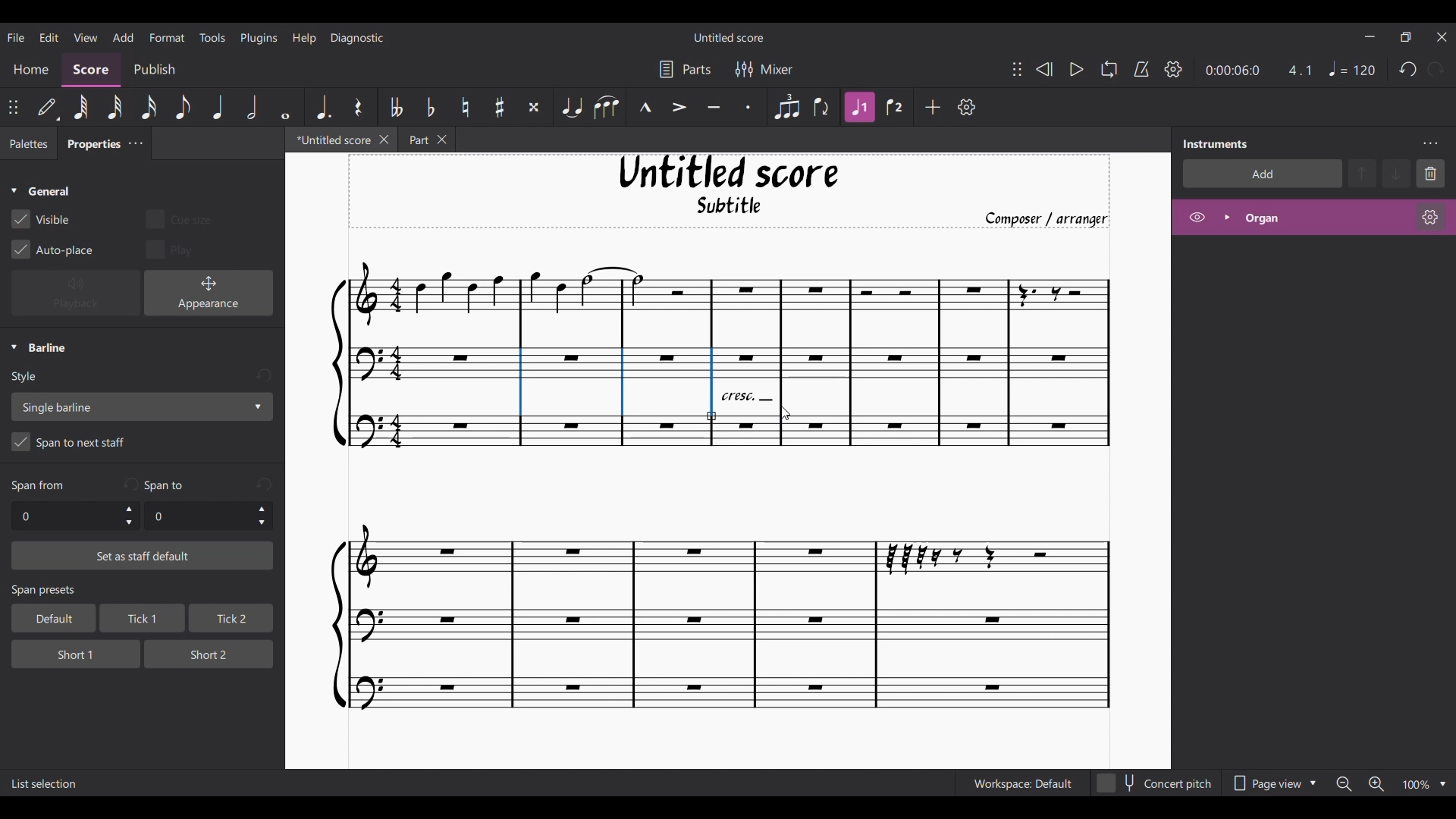 This screenshot has width=1456, height=819. I want to click on Slur, so click(606, 107).